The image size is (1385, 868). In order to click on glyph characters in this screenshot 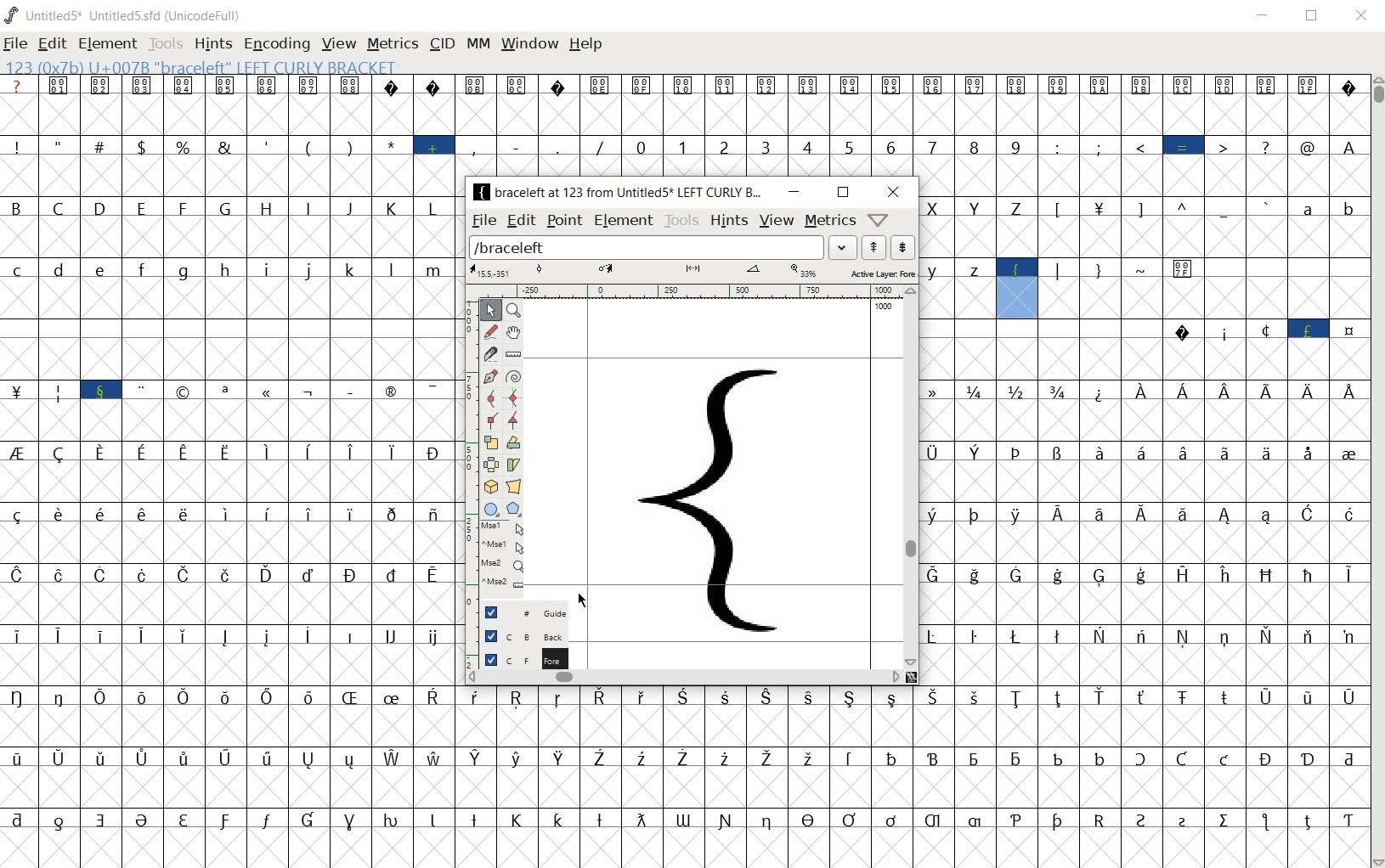, I will do `click(911, 124)`.